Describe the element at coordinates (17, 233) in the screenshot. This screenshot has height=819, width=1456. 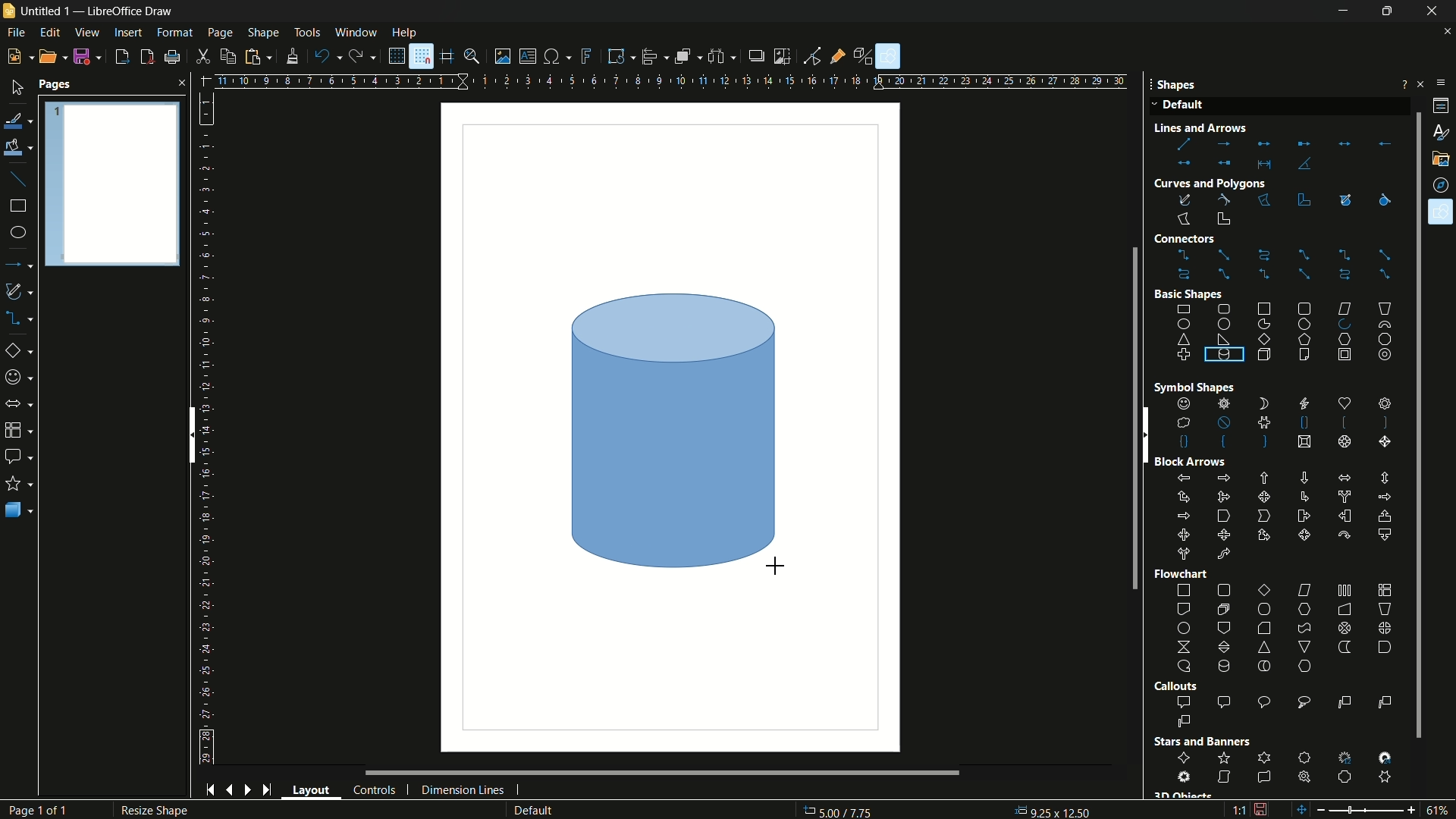
I see `ellipse` at that location.